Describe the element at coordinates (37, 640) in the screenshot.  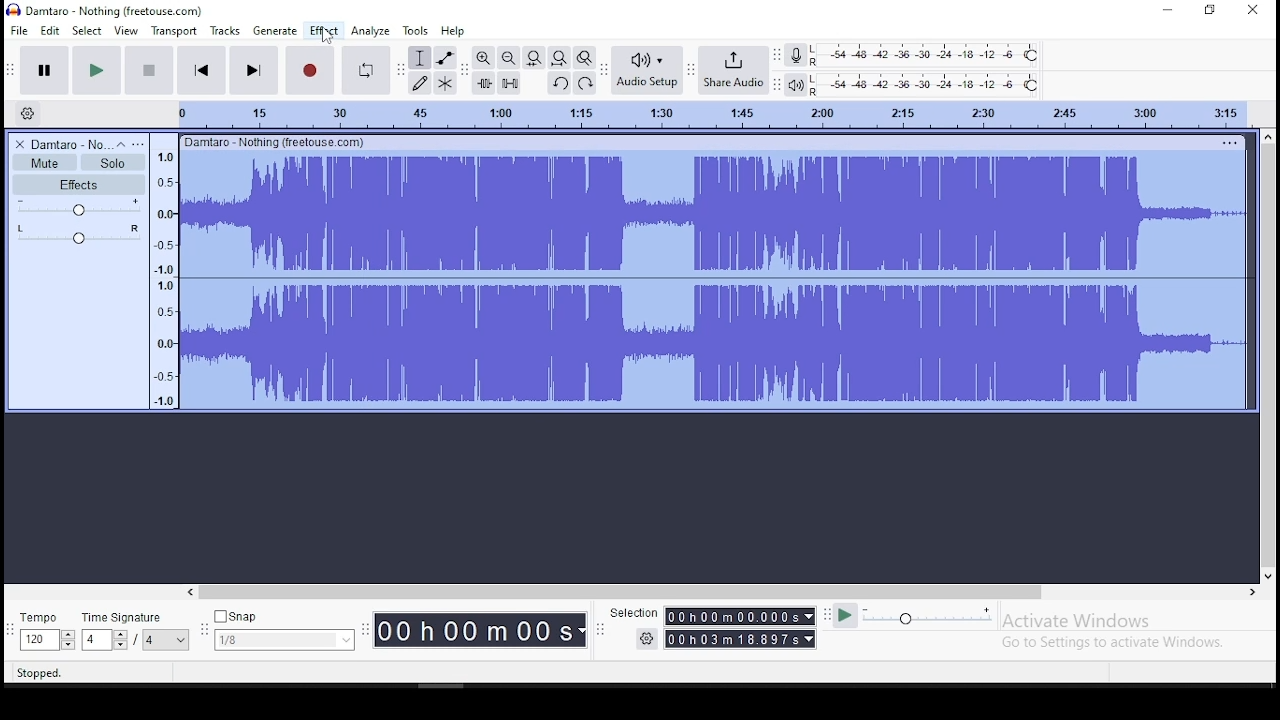
I see `120` at that location.